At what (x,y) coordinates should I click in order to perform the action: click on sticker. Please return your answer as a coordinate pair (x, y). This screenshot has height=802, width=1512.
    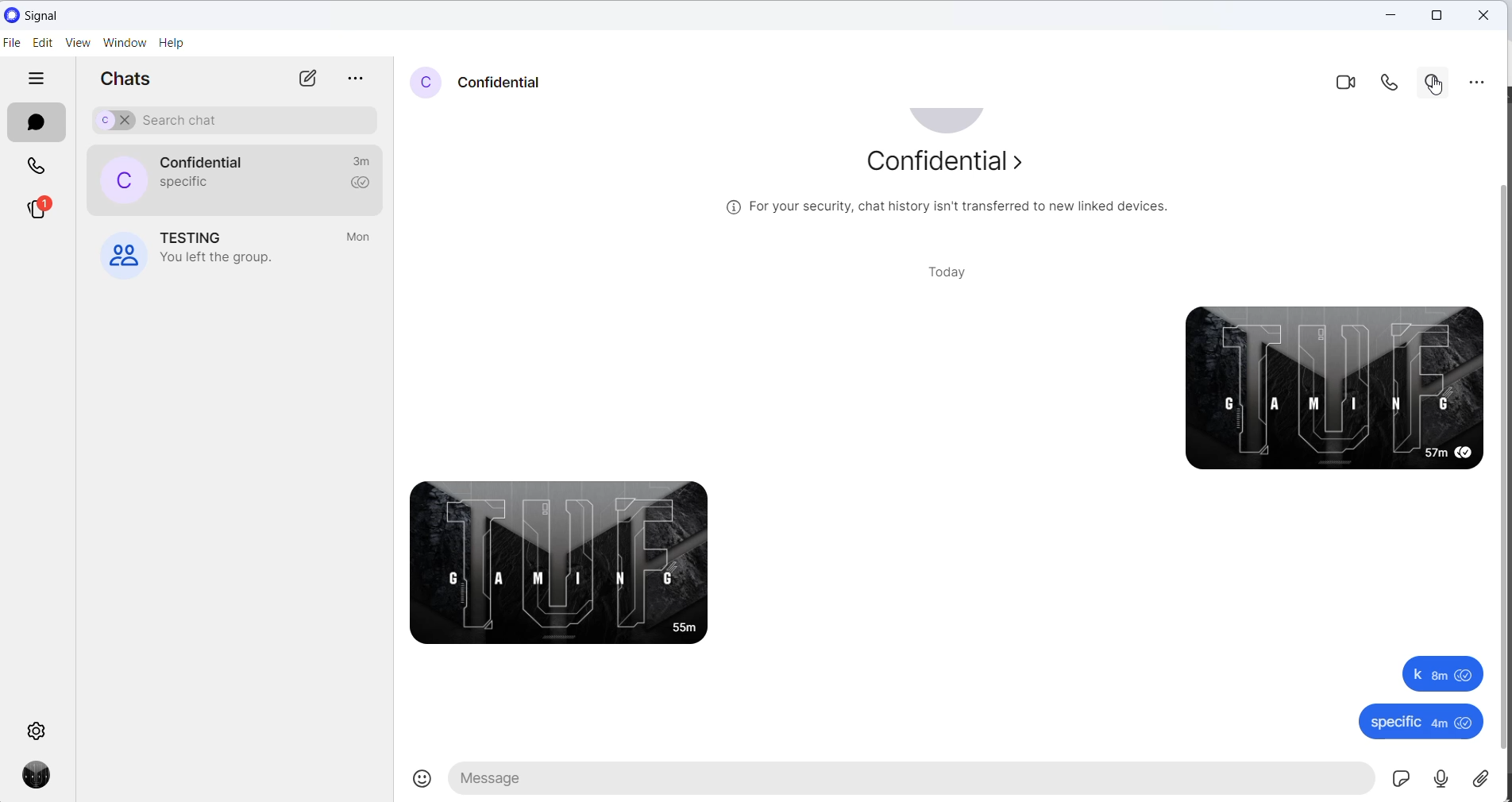
    Looking at the image, I should click on (1398, 782).